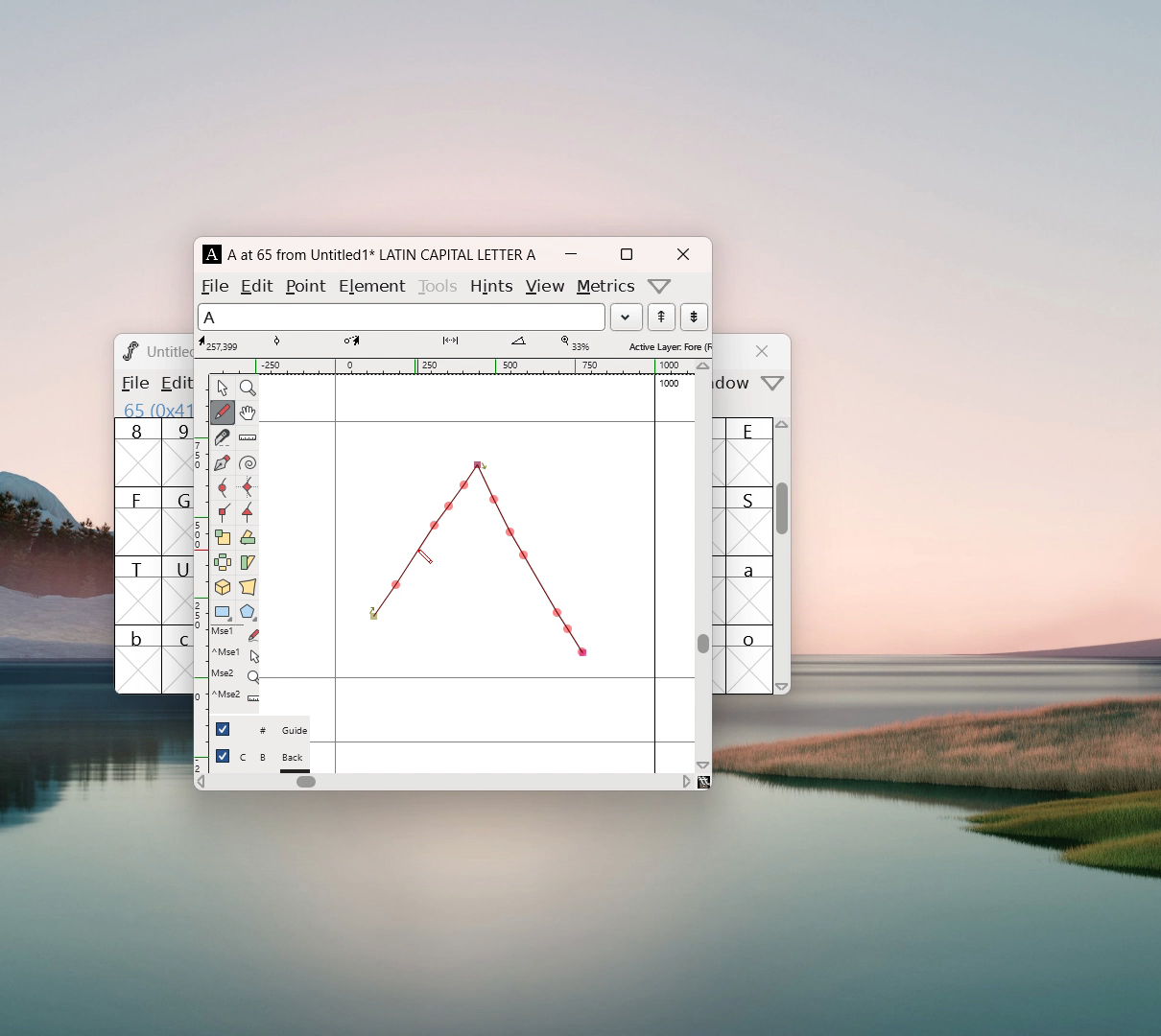  I want to click on , so click(173, 385).